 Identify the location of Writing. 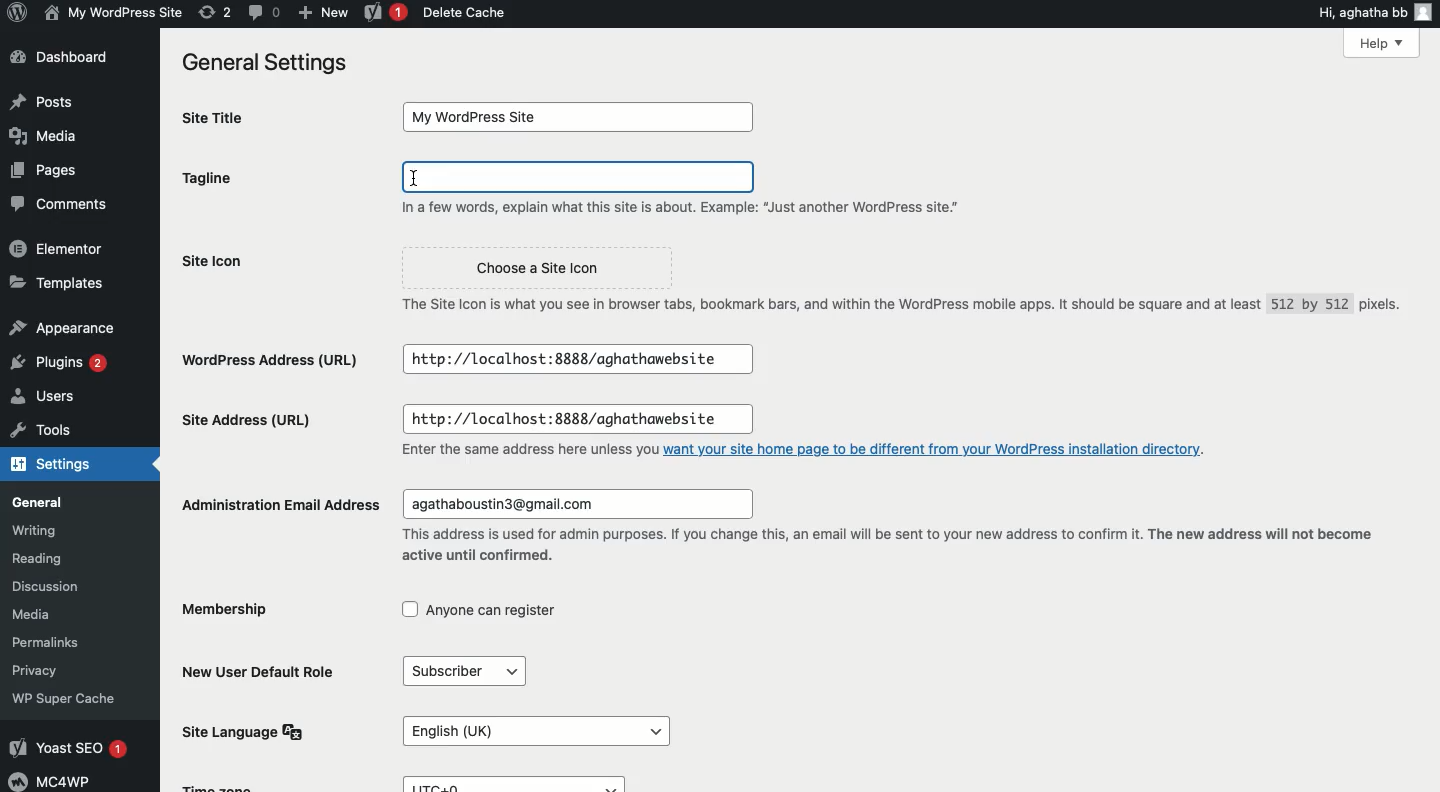
(45, 529).